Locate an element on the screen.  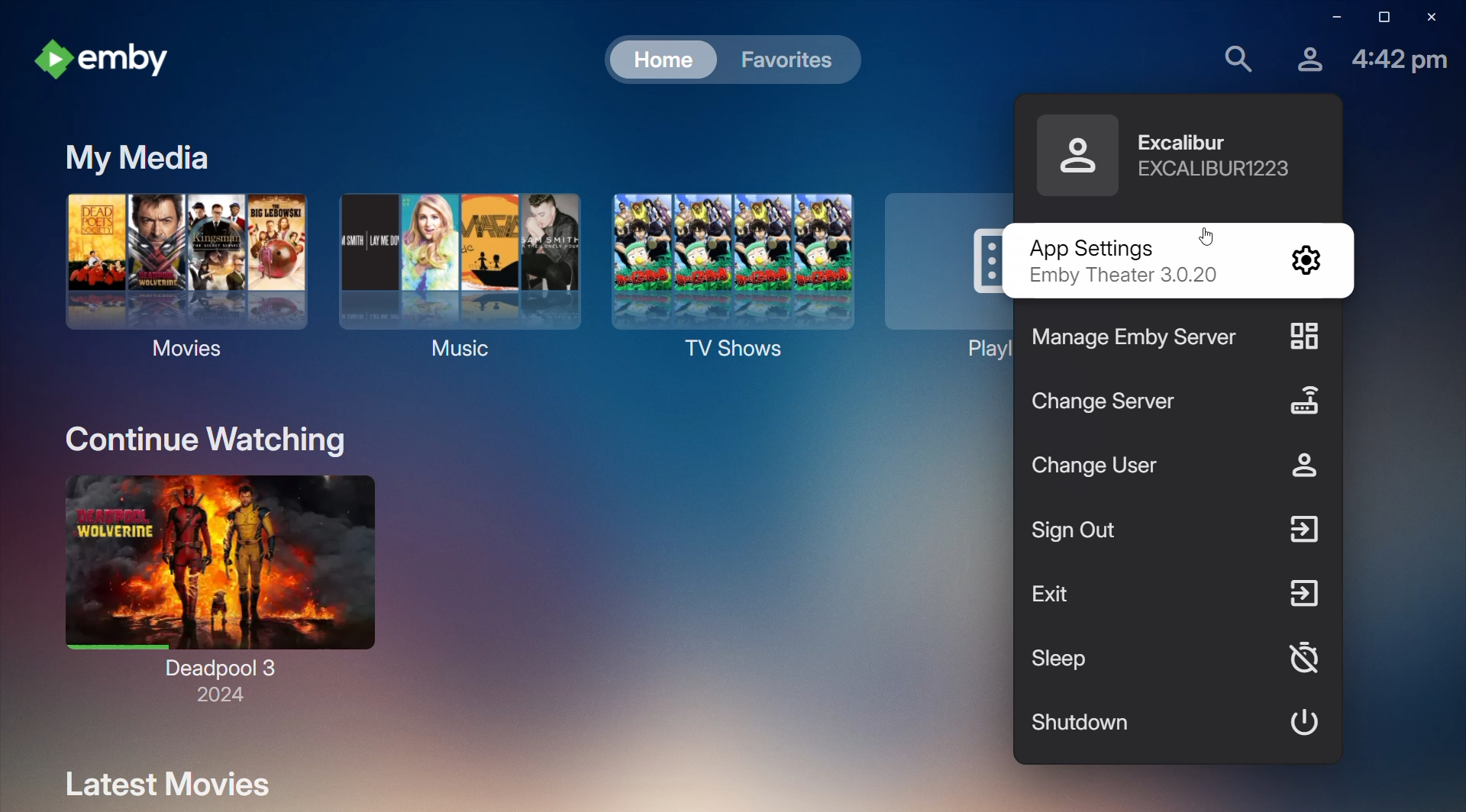
Favorites is located at coordinates (783, 60).